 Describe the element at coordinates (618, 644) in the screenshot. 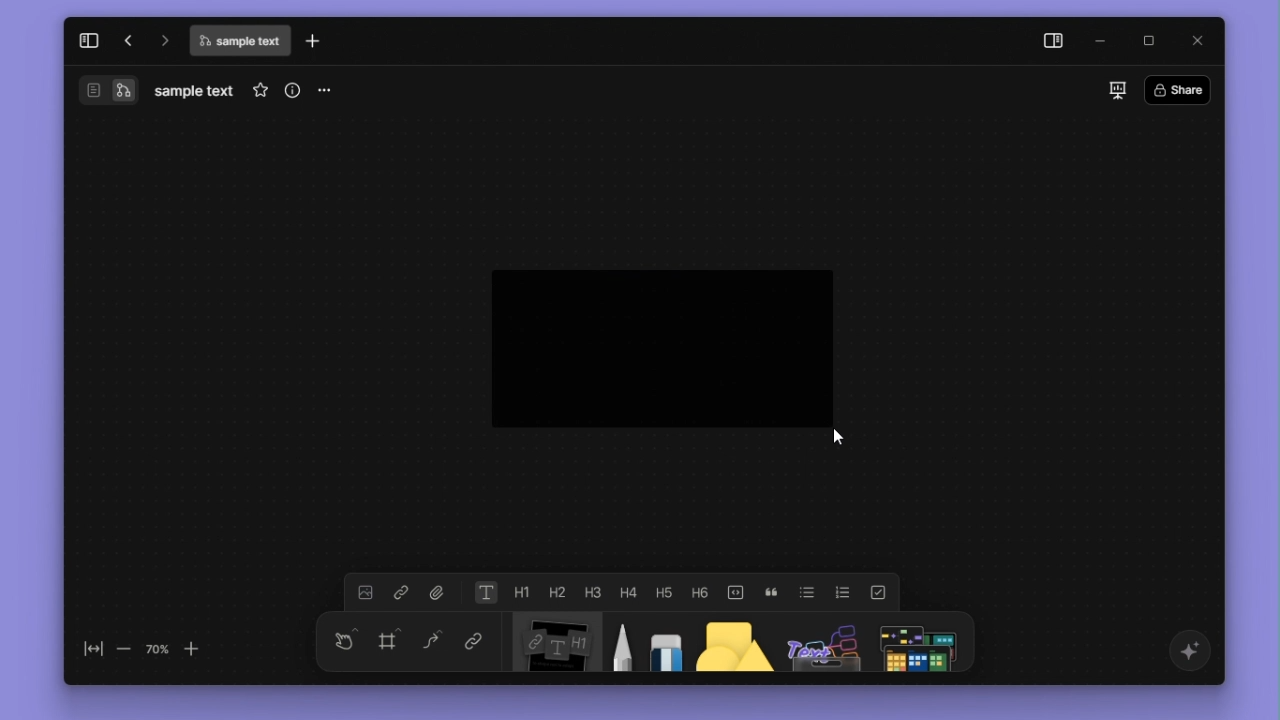

I see `pen` at that location.